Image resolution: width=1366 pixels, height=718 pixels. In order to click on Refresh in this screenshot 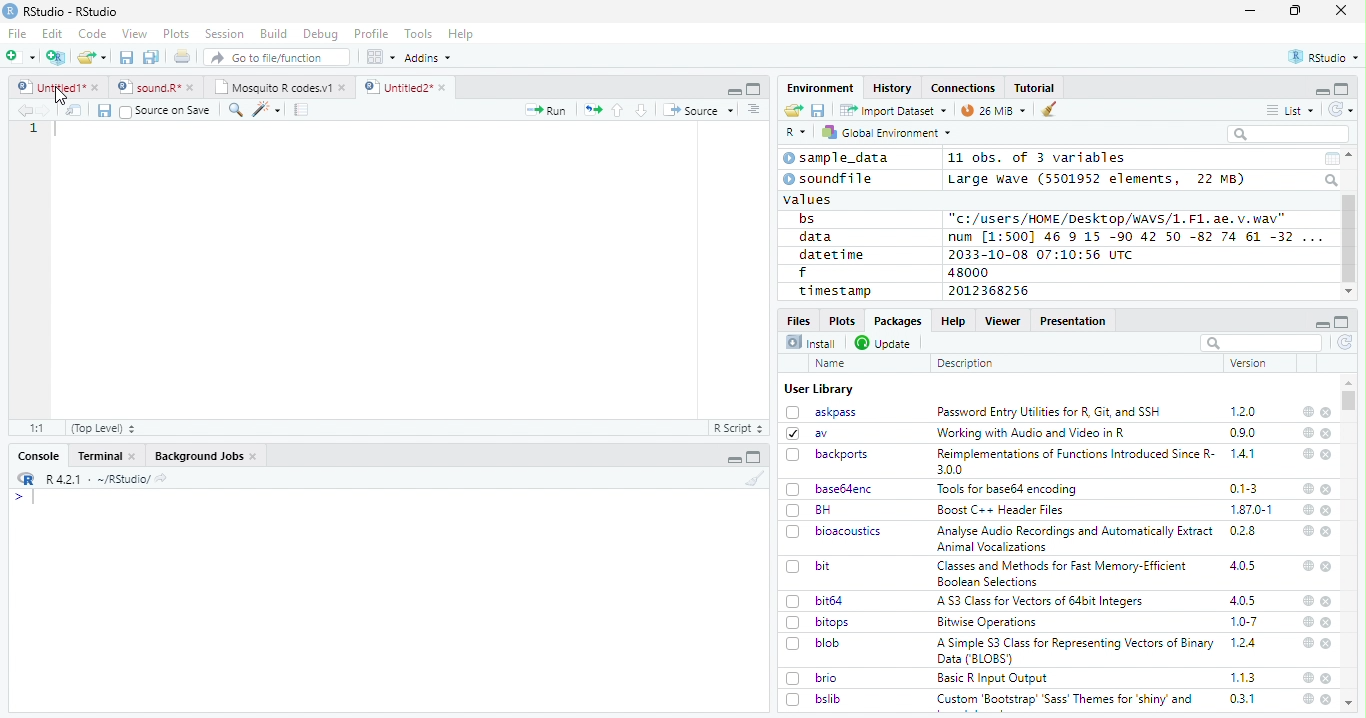, I will do `click(1346, 342)`.